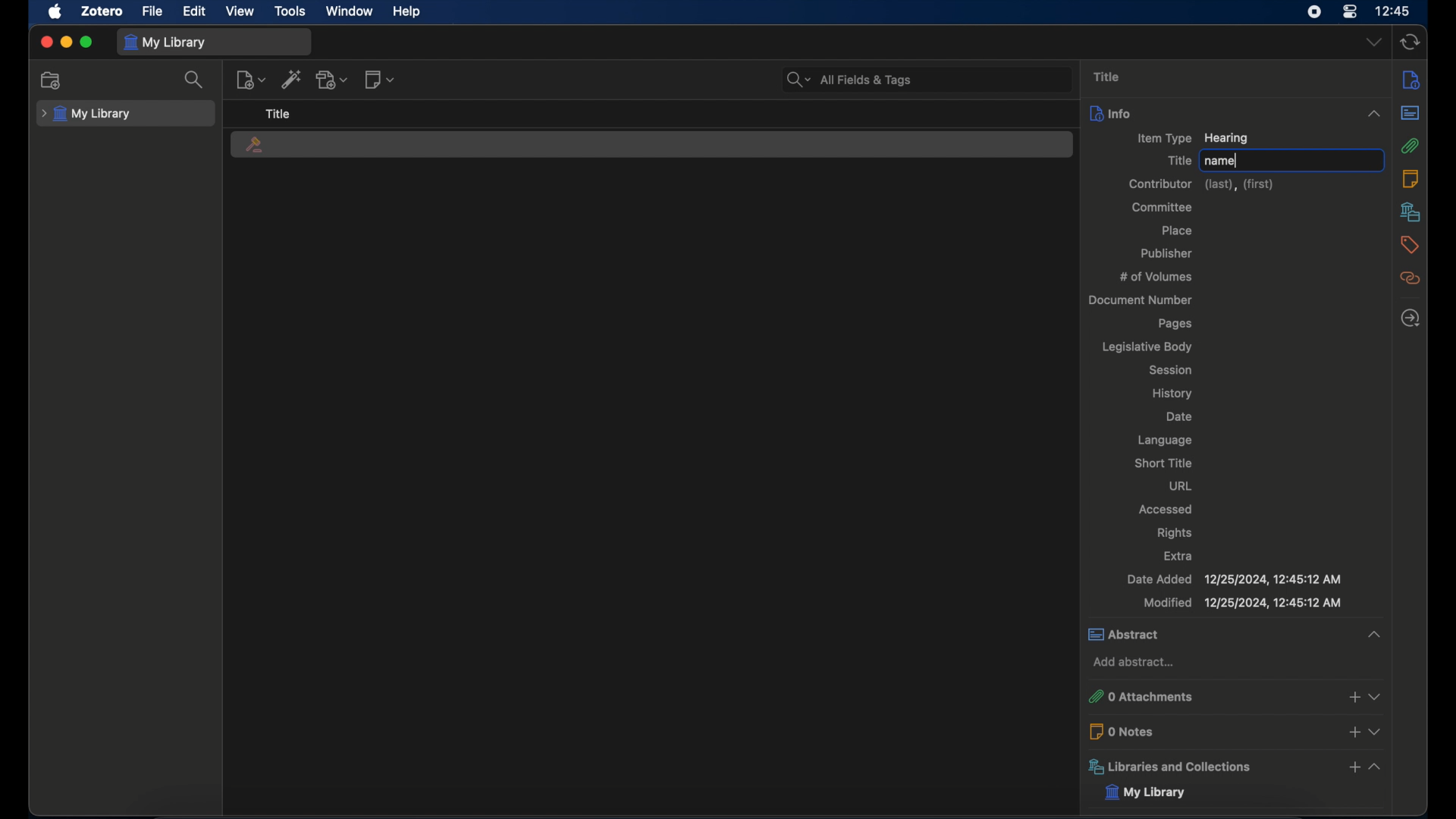  What do you see at coordinates (381, 79) in the screenshot?
I see `new notes` at bounding box center [381, 79].